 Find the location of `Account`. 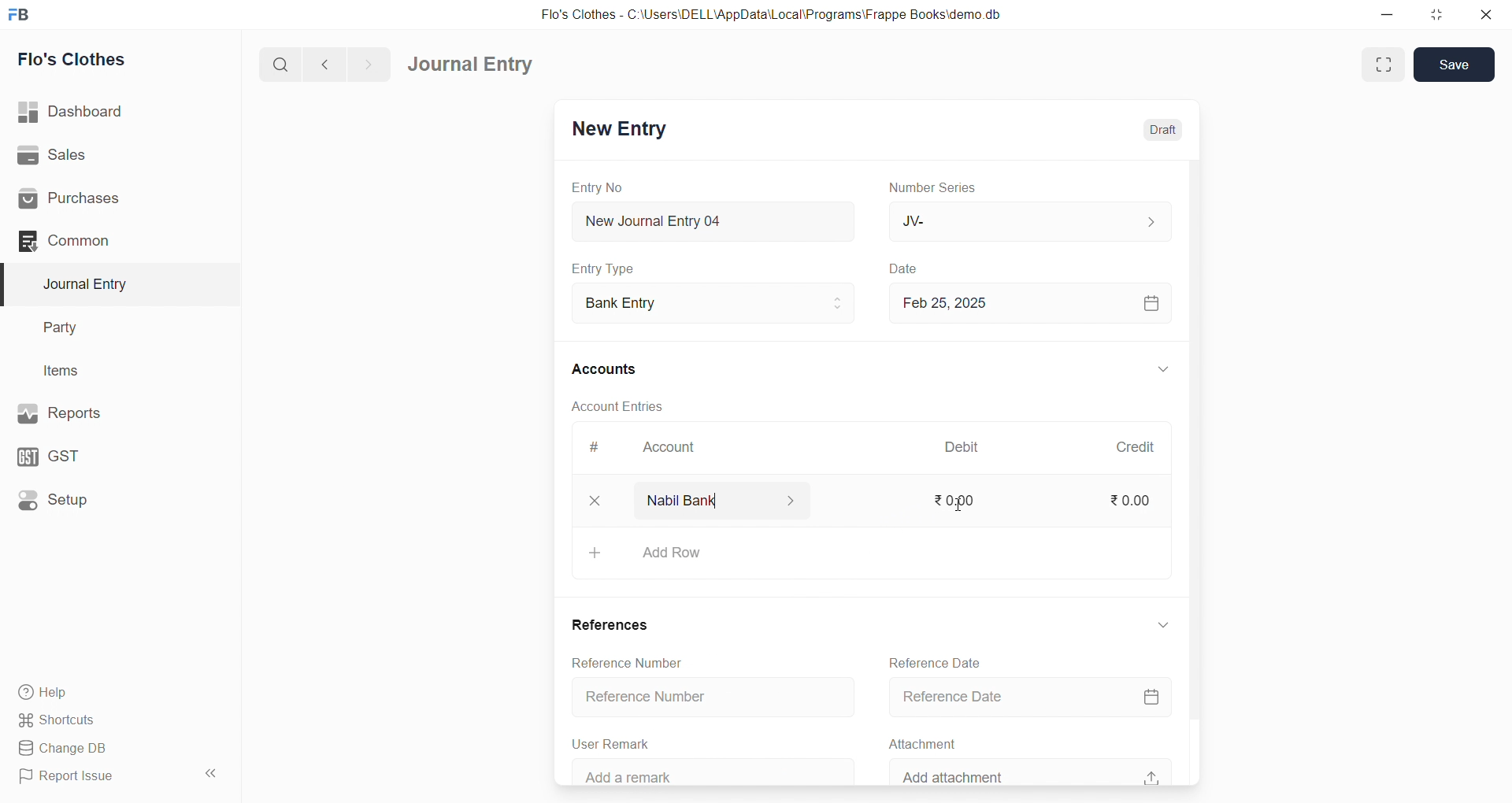

Account is located at coordinates (665, 450).